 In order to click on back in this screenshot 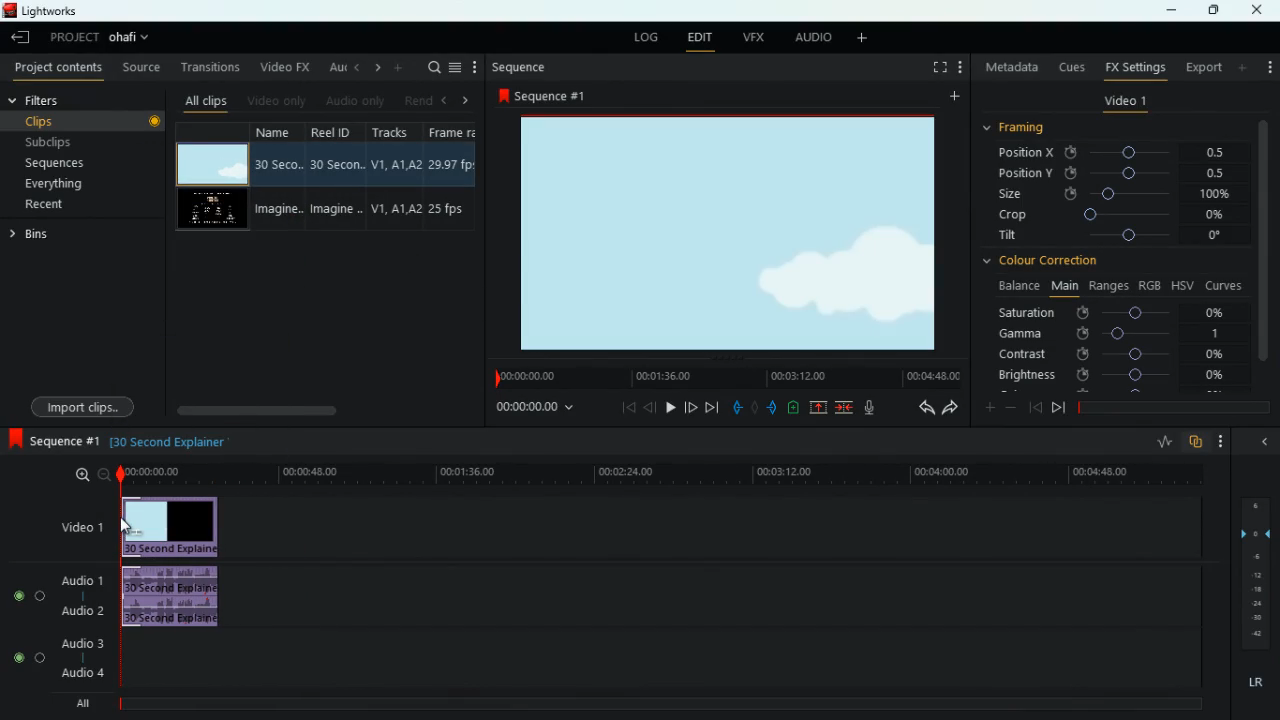, I will do `click(650, 407)`.